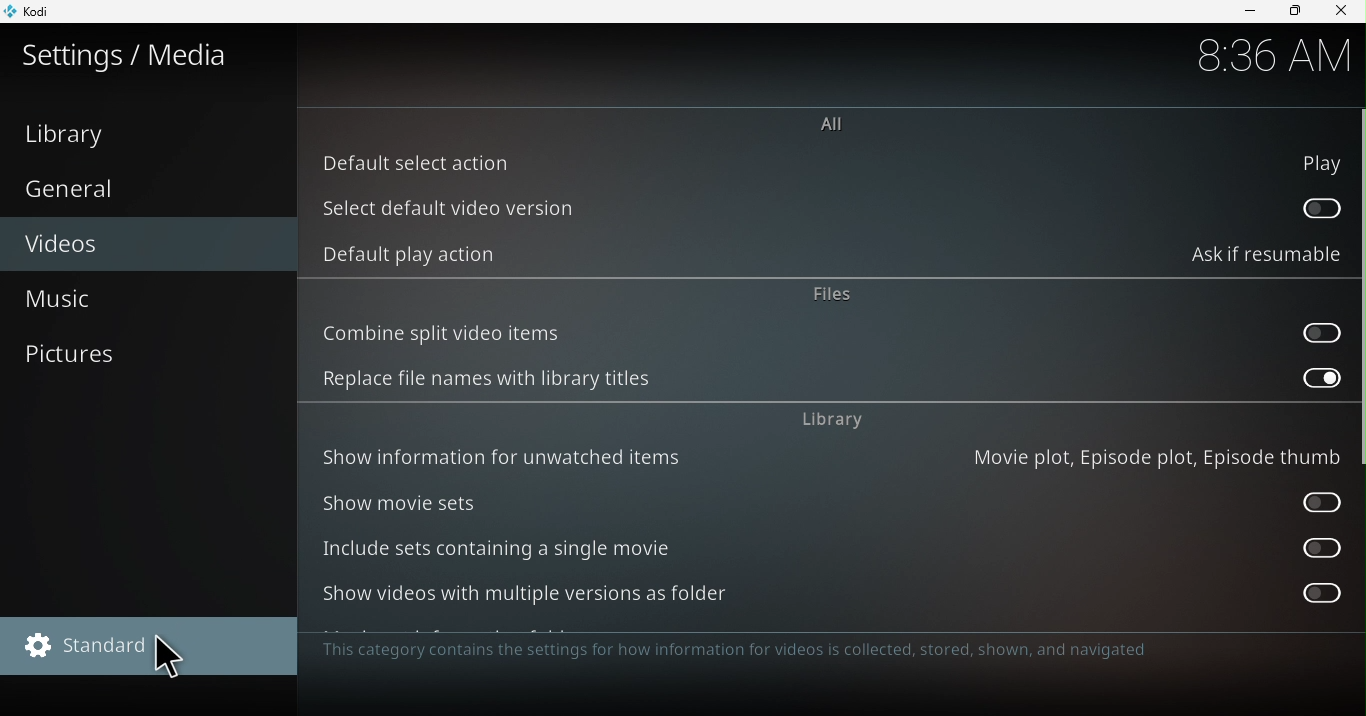 The image size is (1366, 716). What do you see at coordinates (833, 292) in the screenshot?
I see `files` at bounding box center [833, 292].